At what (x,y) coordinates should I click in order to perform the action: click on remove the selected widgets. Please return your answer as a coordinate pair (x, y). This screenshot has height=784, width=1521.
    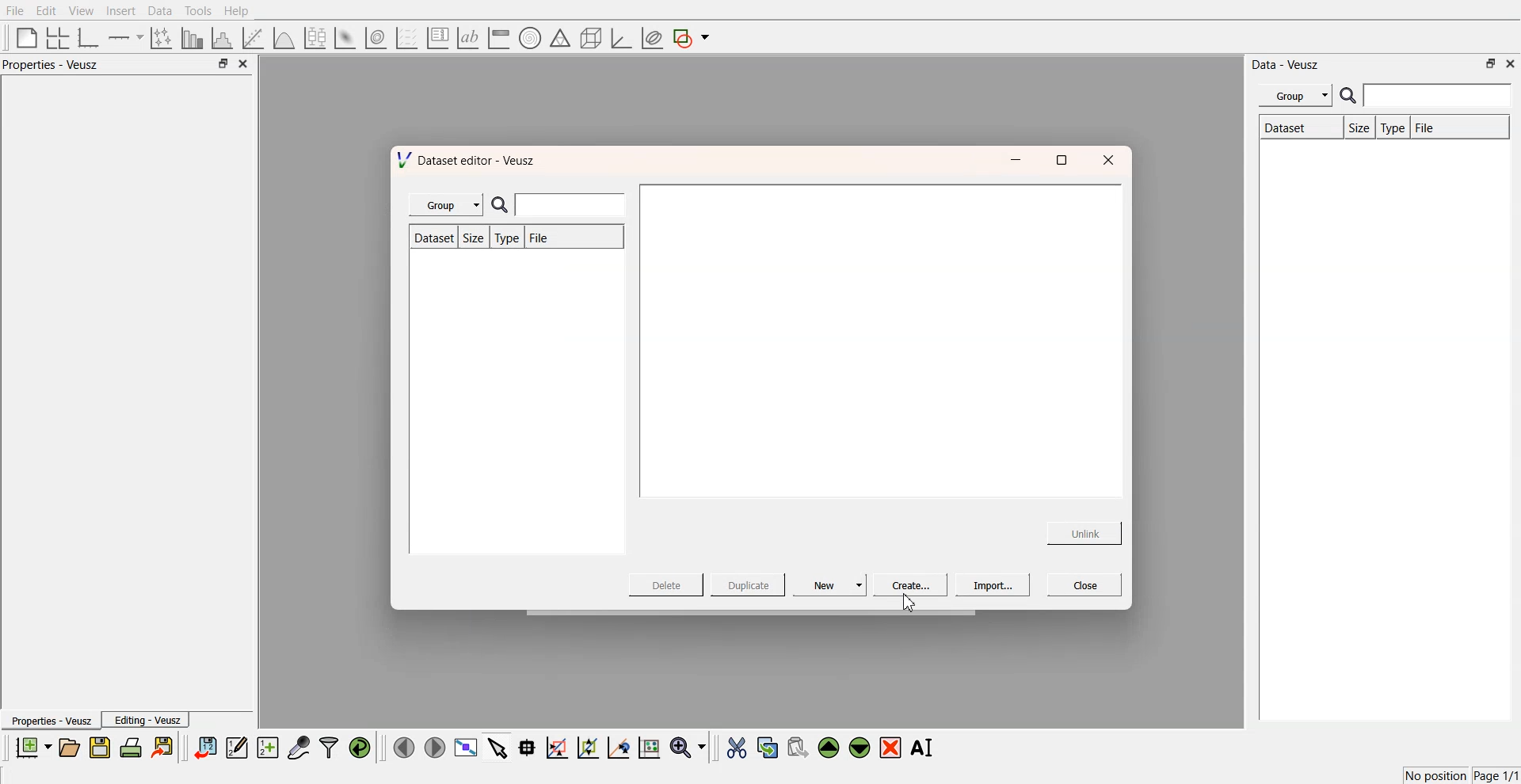
    Looking at the image, I should click on (892, 748).